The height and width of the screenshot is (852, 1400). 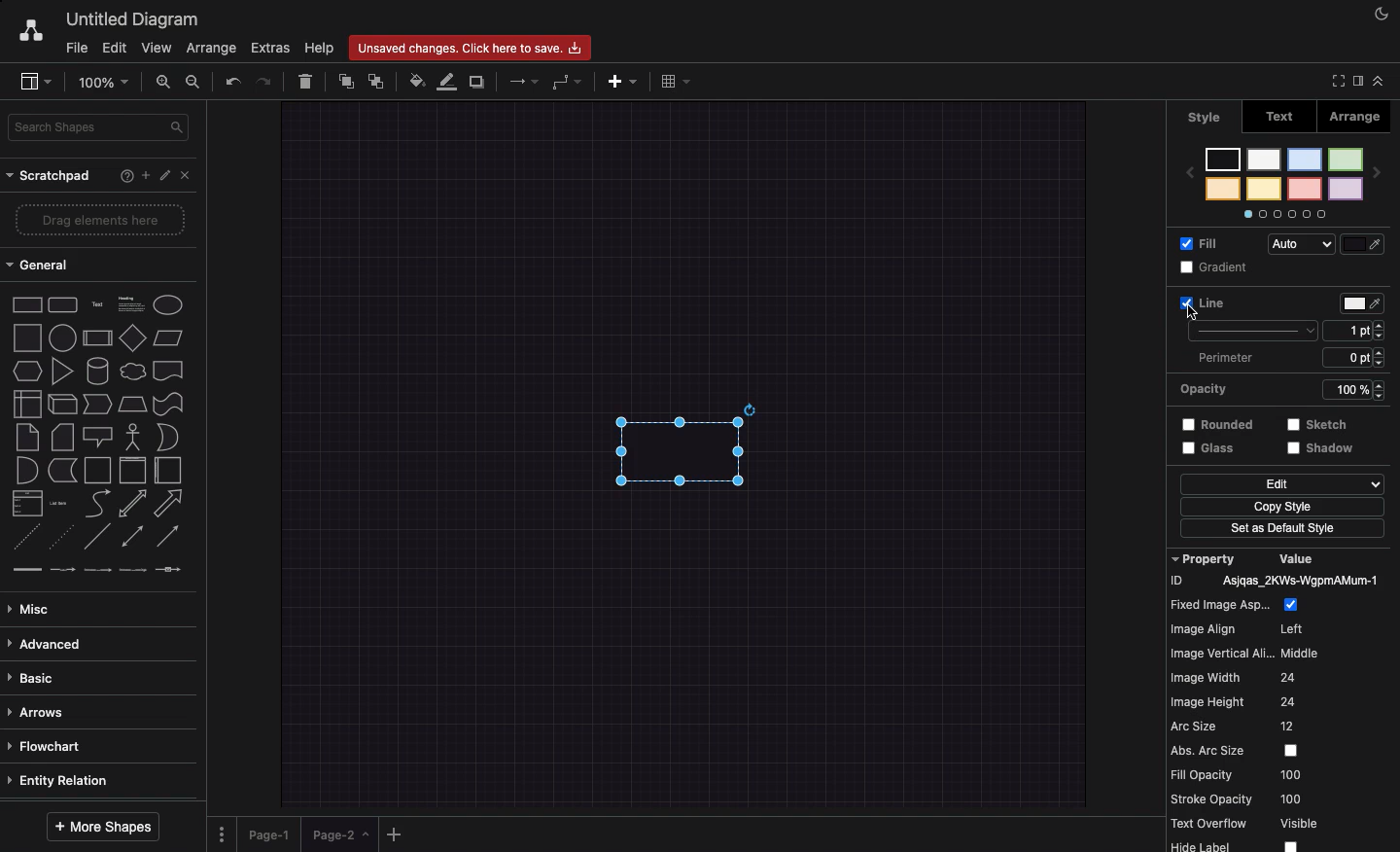 What do you see at coordinates (1281, 484) in the screenshot?
I see `Edit` at bounding box center [1281, 484].